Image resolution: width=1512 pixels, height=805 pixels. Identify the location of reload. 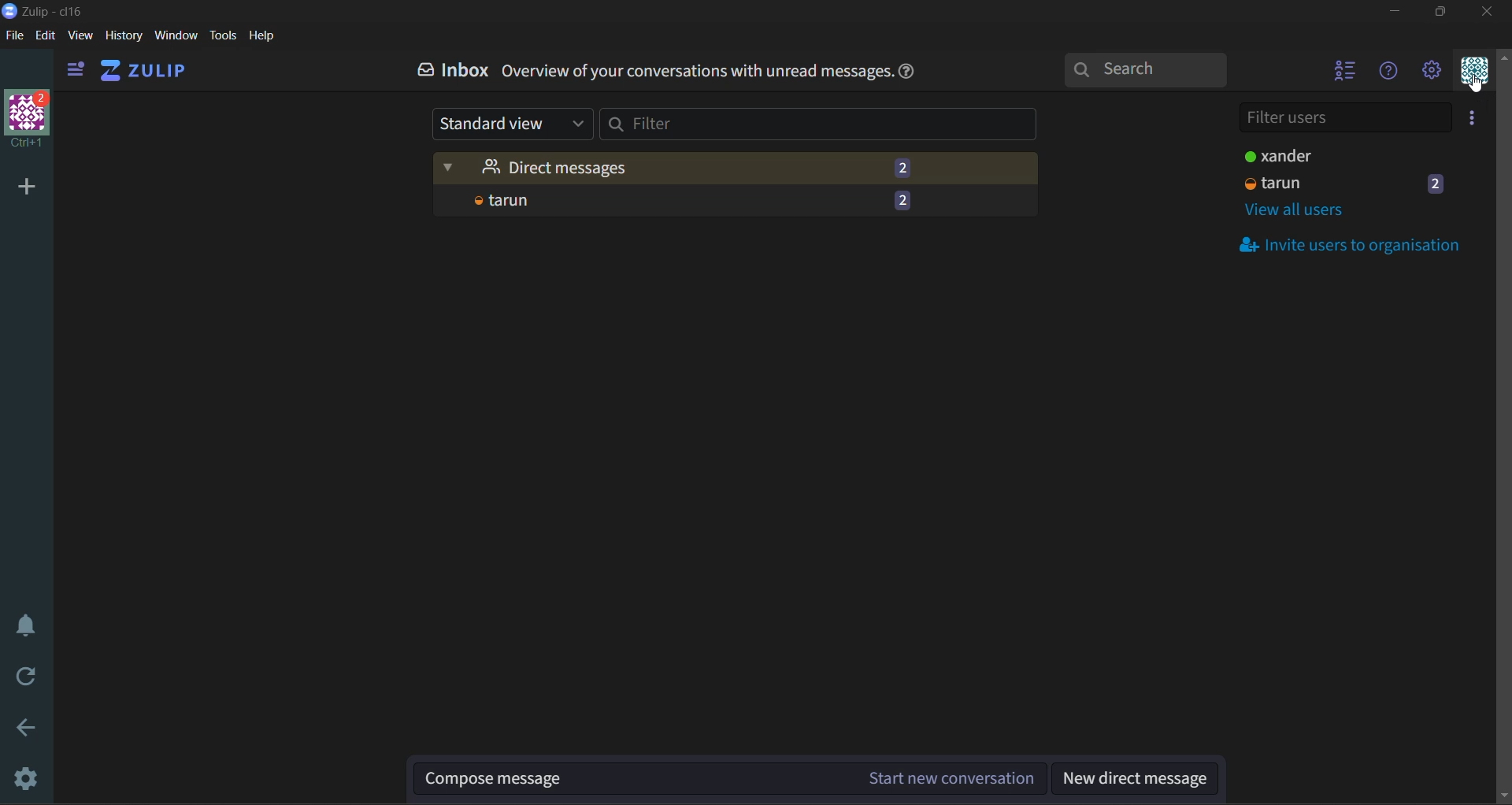
(25, 677).